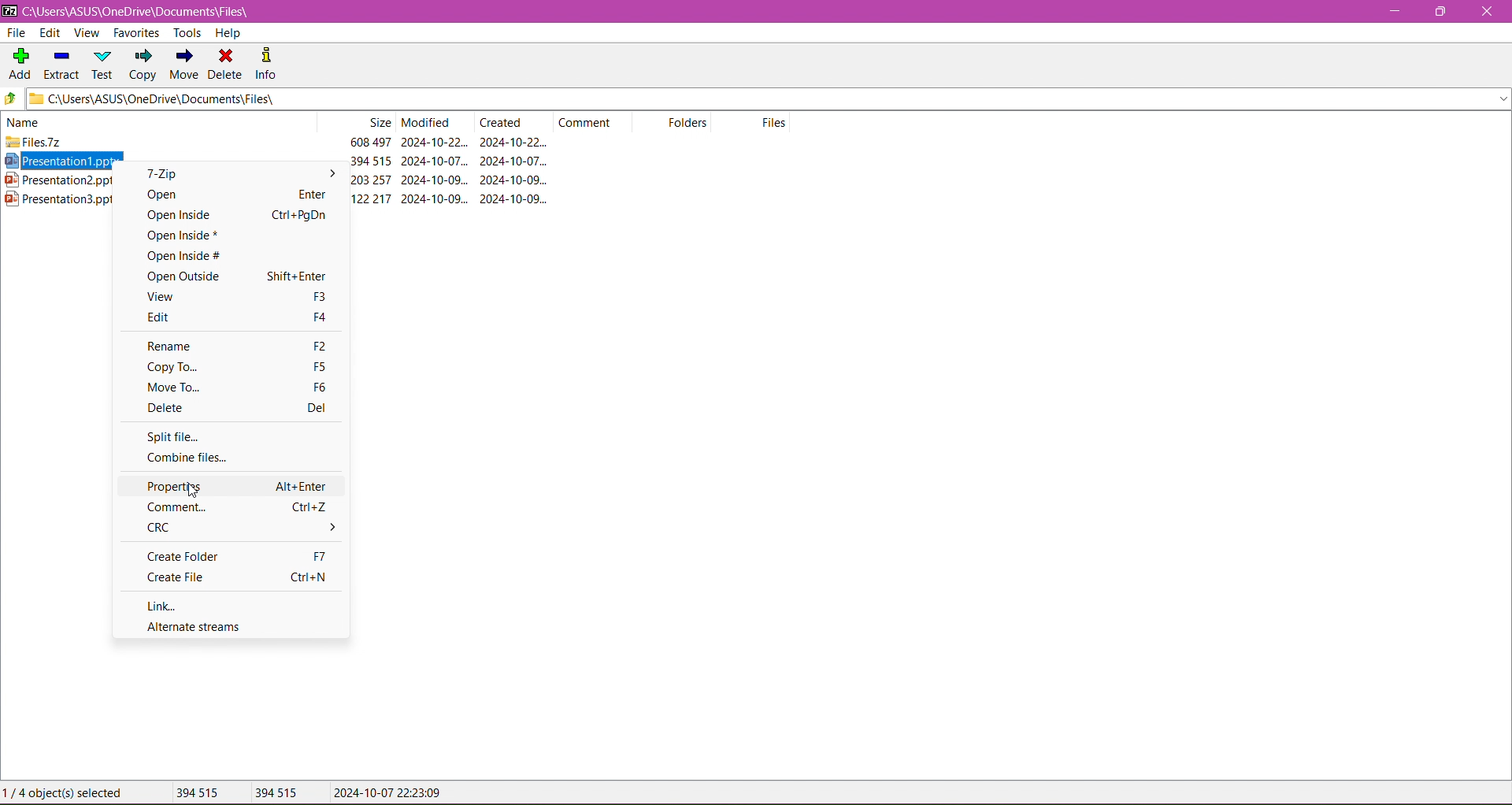 This screenshot has height=805, width=1512. Describe the element at coordinates (236, 347) in the screenshot. I see `Rename` at that location.